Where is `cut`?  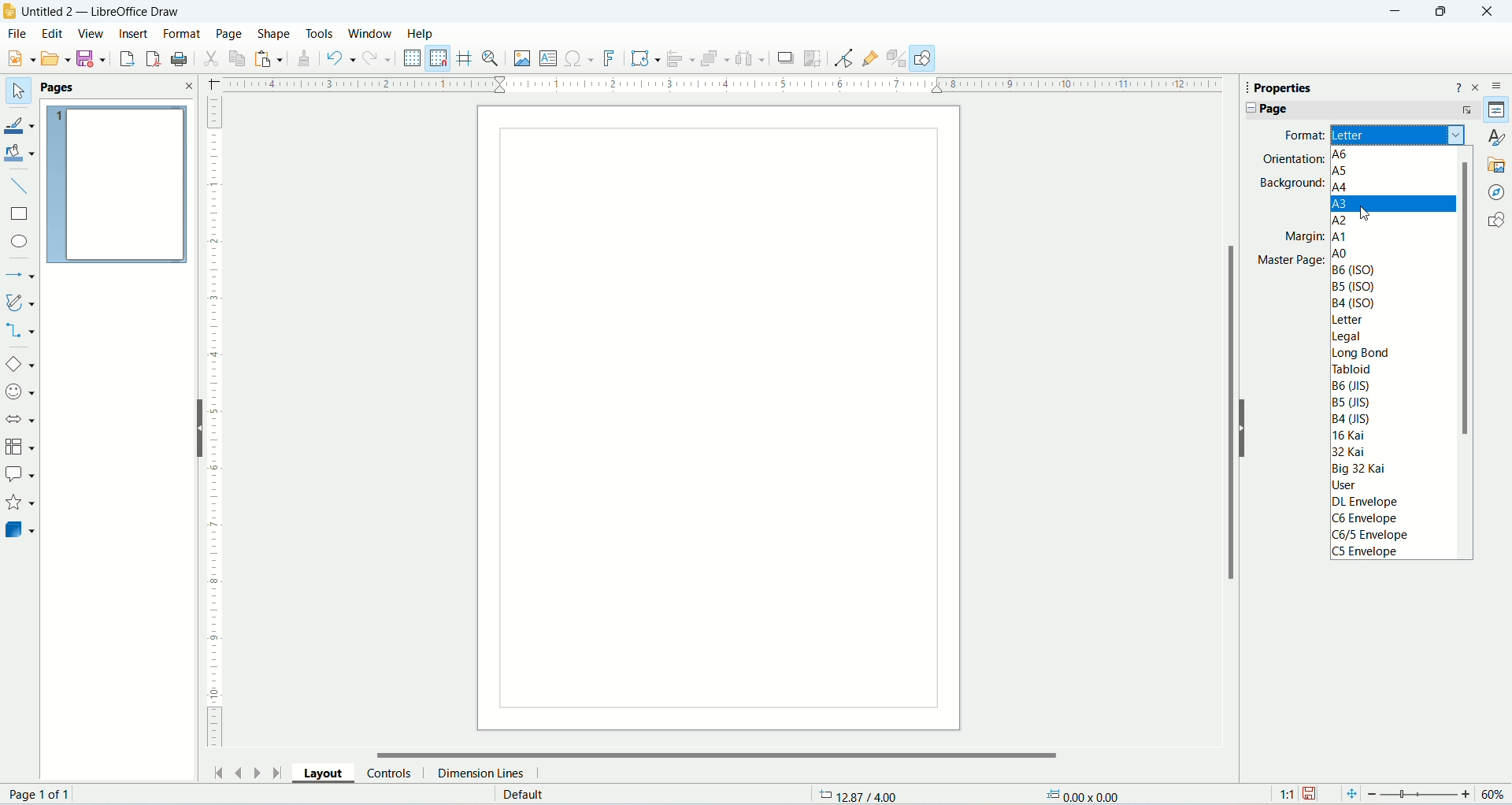
cut is located at coordinates (214, 57).